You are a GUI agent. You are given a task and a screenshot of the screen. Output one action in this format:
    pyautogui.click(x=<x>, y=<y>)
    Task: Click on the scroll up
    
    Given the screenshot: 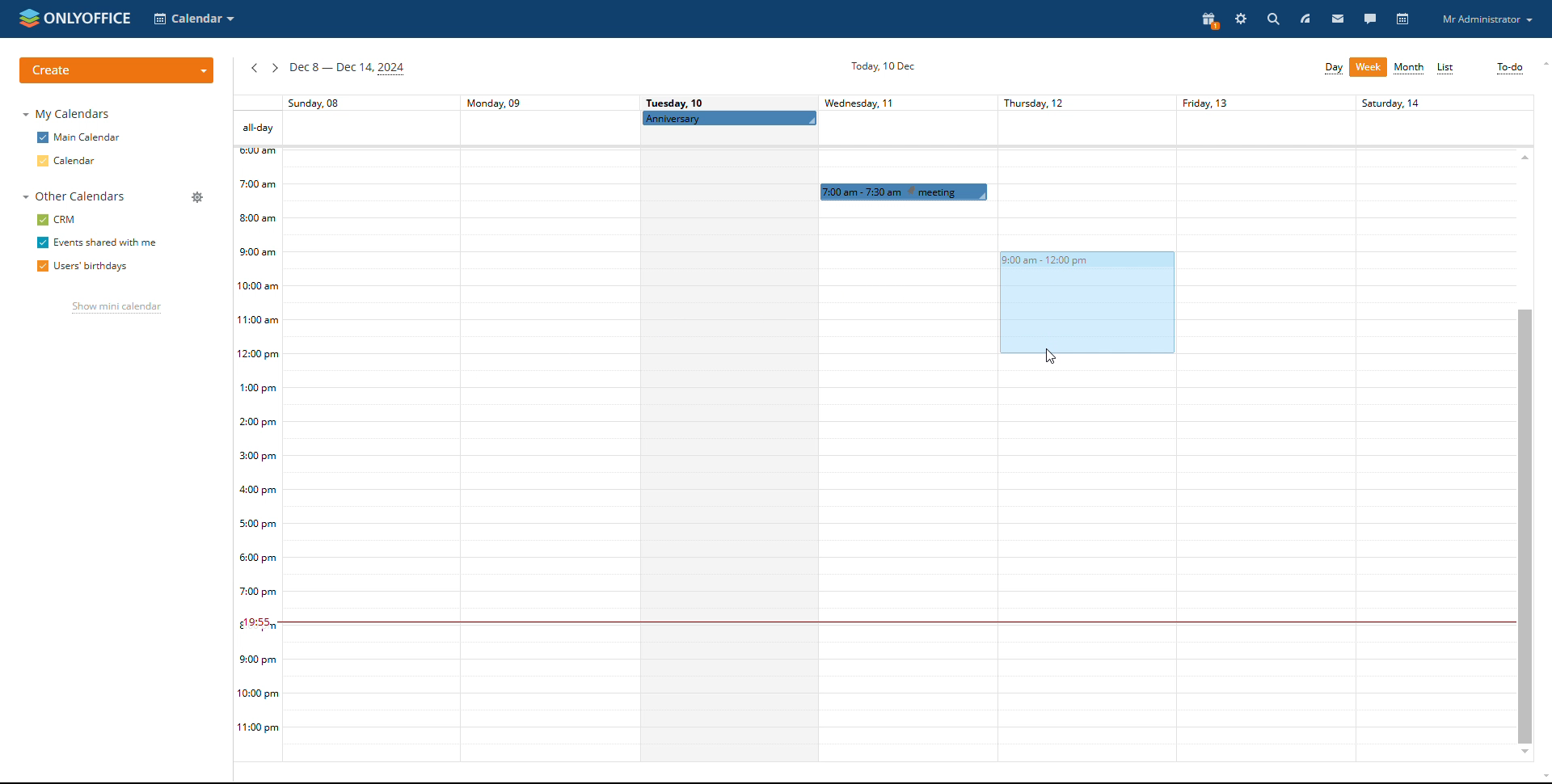 What is the action you would take?
    pyautogui.click(x=1525, y=156)
    